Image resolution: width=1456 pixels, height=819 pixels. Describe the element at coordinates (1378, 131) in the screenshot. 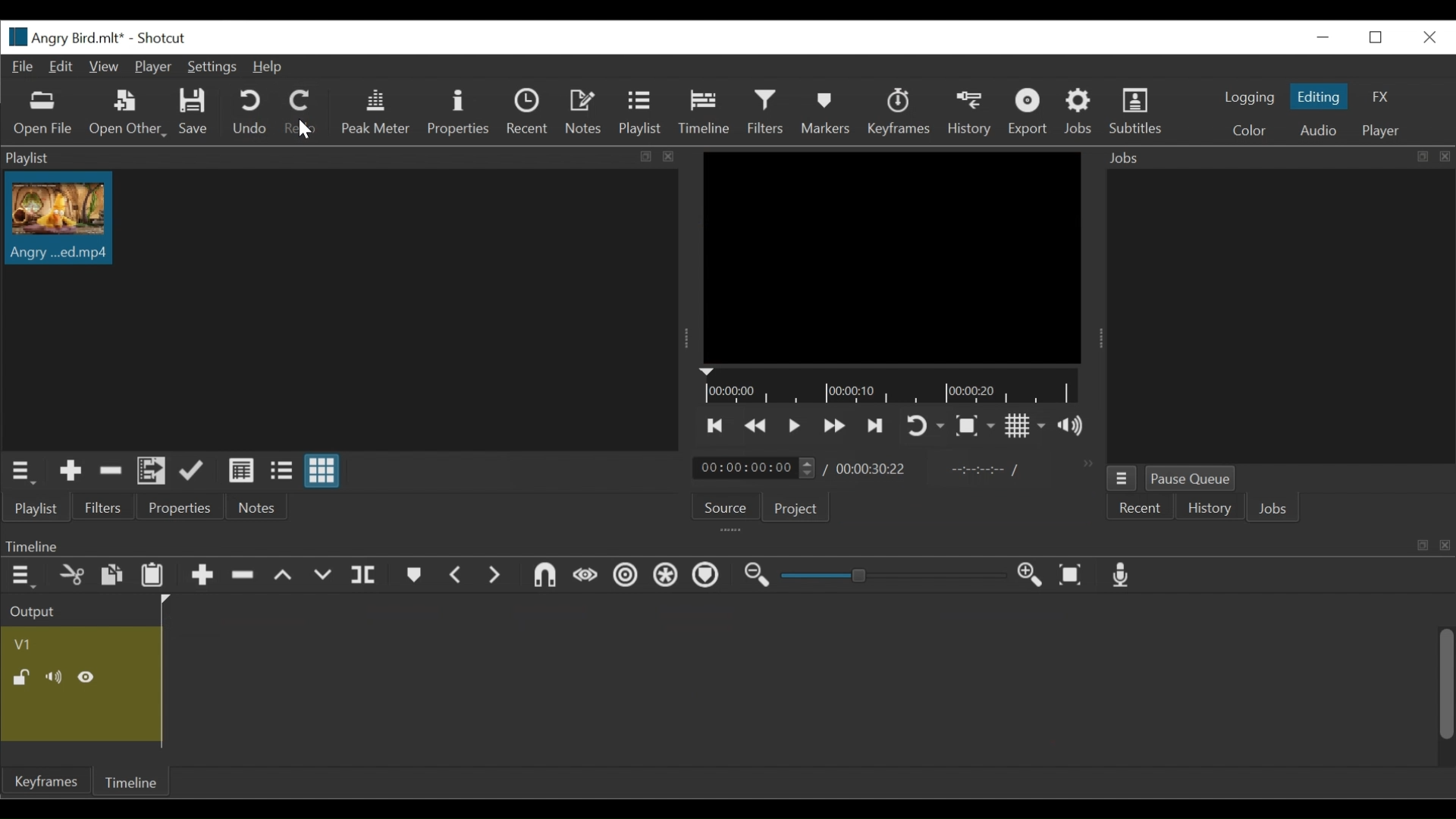

I see `player` at that location.